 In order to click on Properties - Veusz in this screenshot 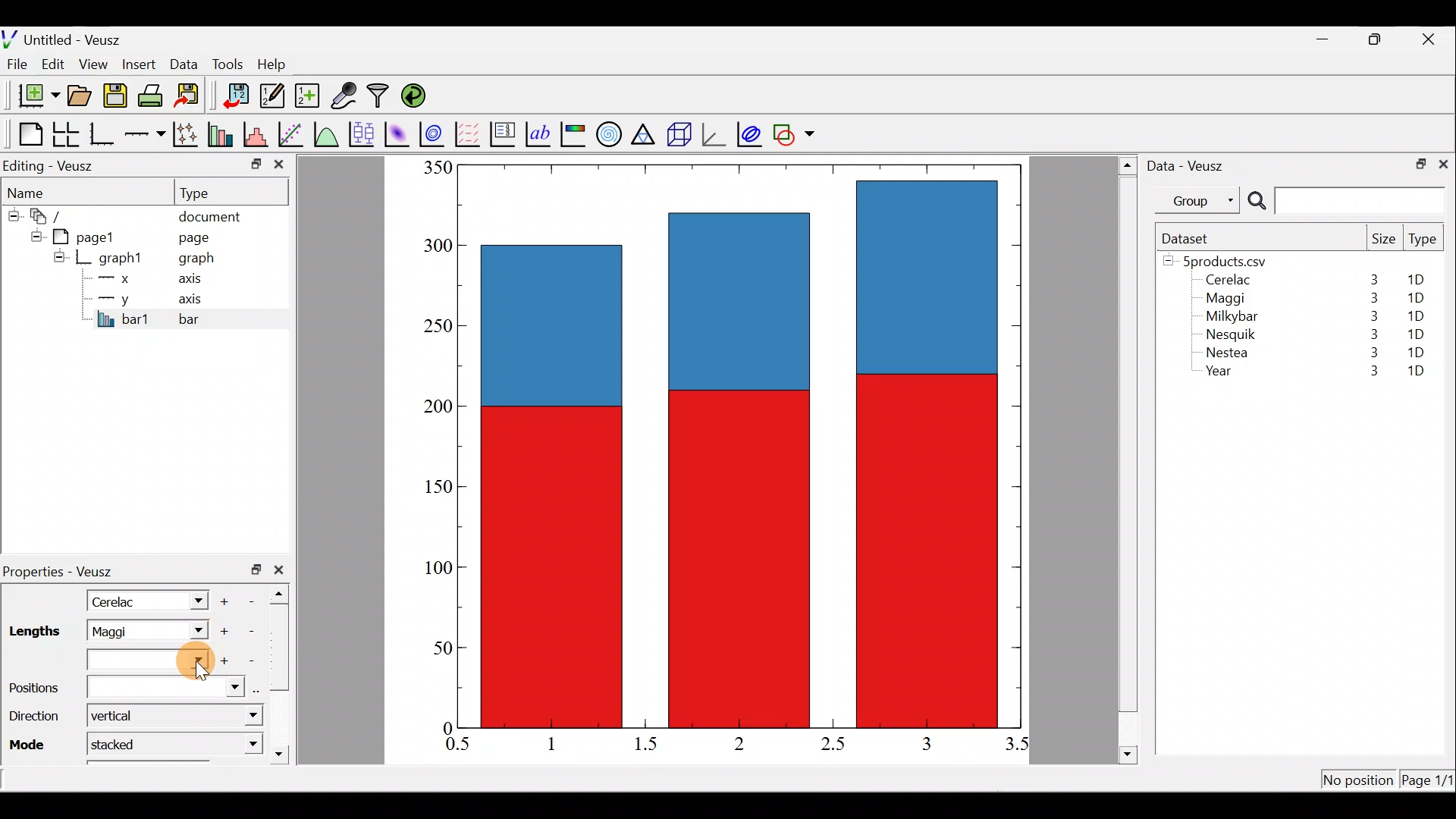, I will do `click(64, 572)`.